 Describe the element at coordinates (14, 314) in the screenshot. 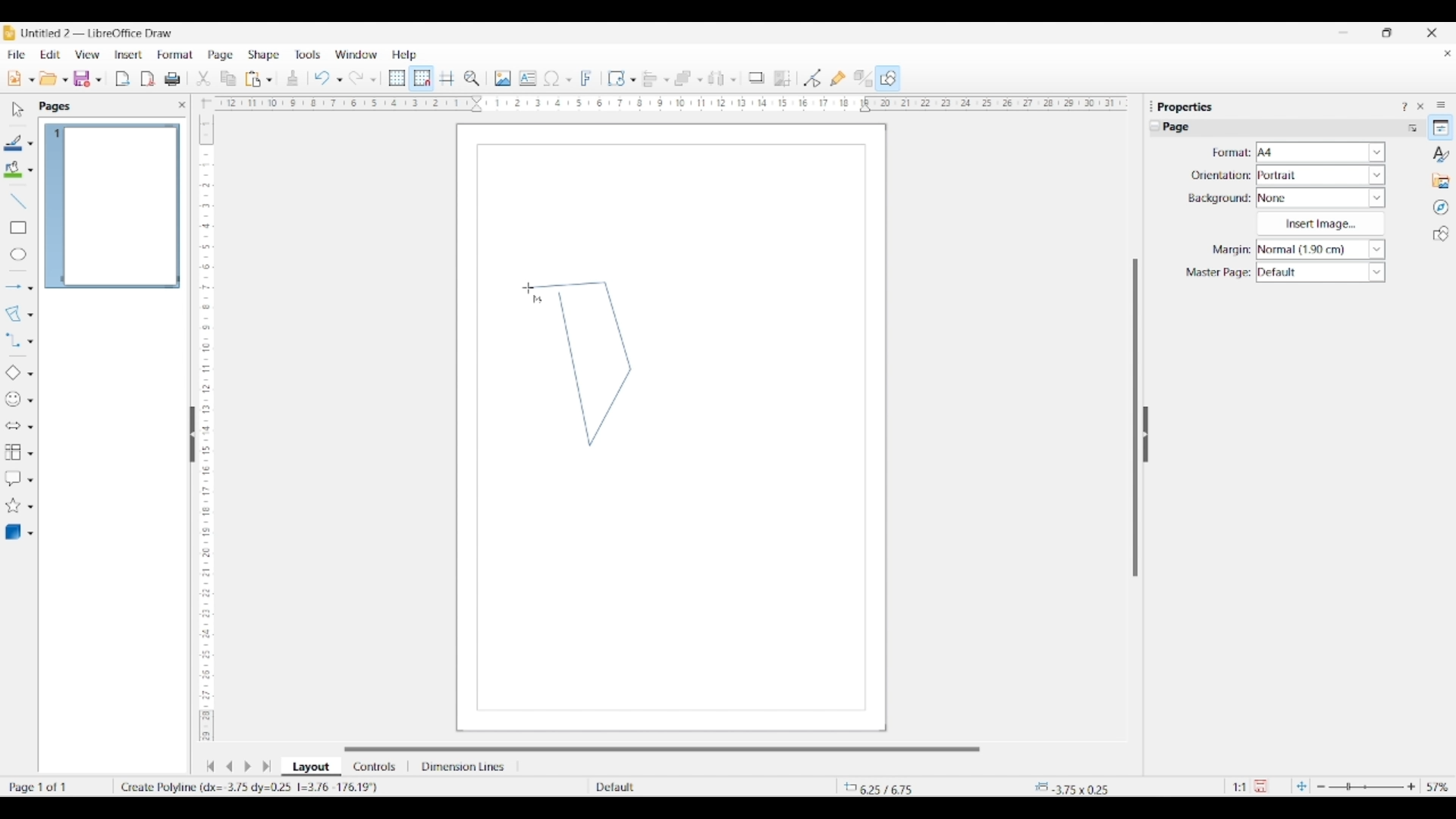

I see `Selected polygon` at that location.